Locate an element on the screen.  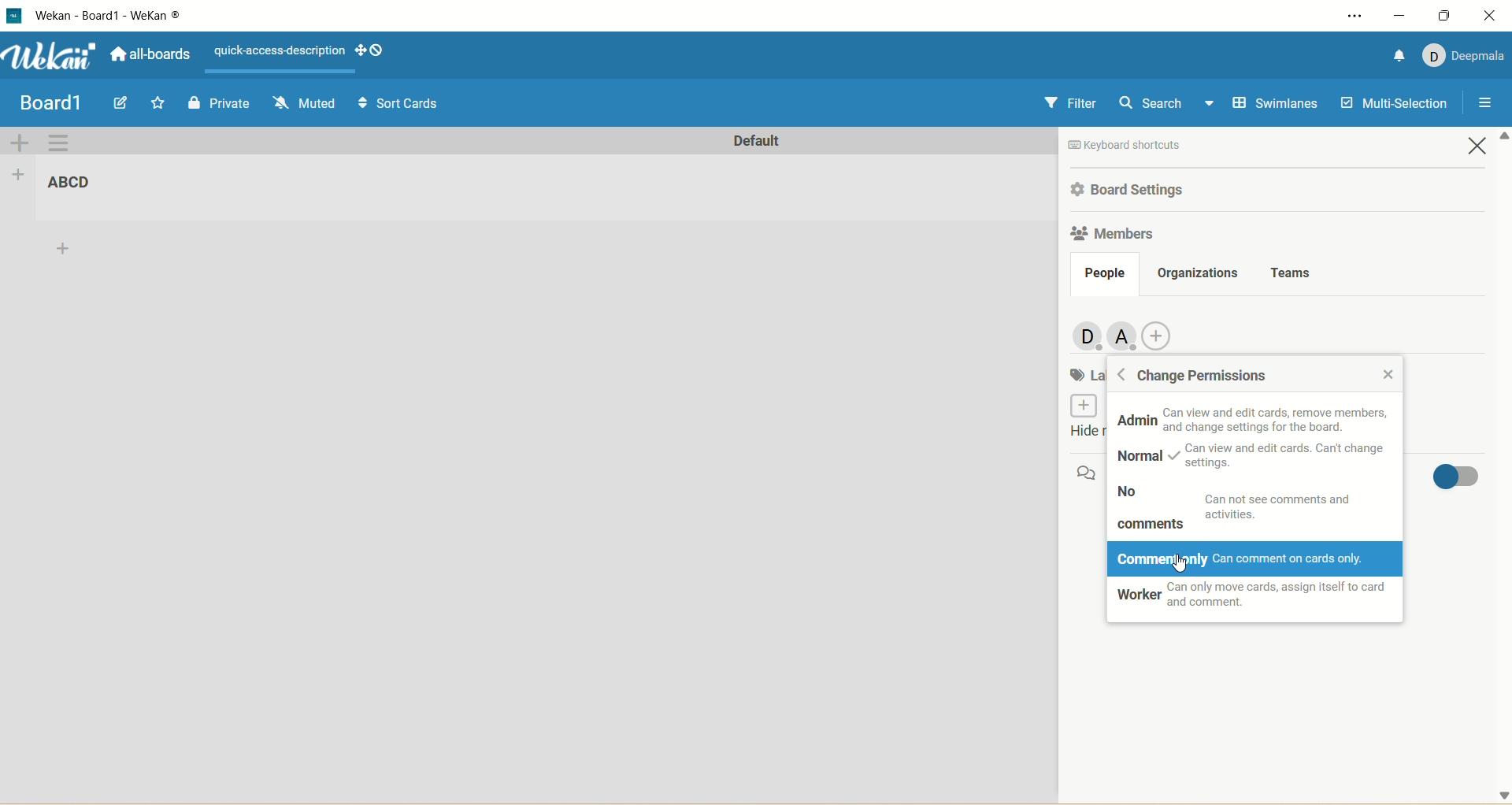
close/open sidebar is located at coordinates (1483, 106).